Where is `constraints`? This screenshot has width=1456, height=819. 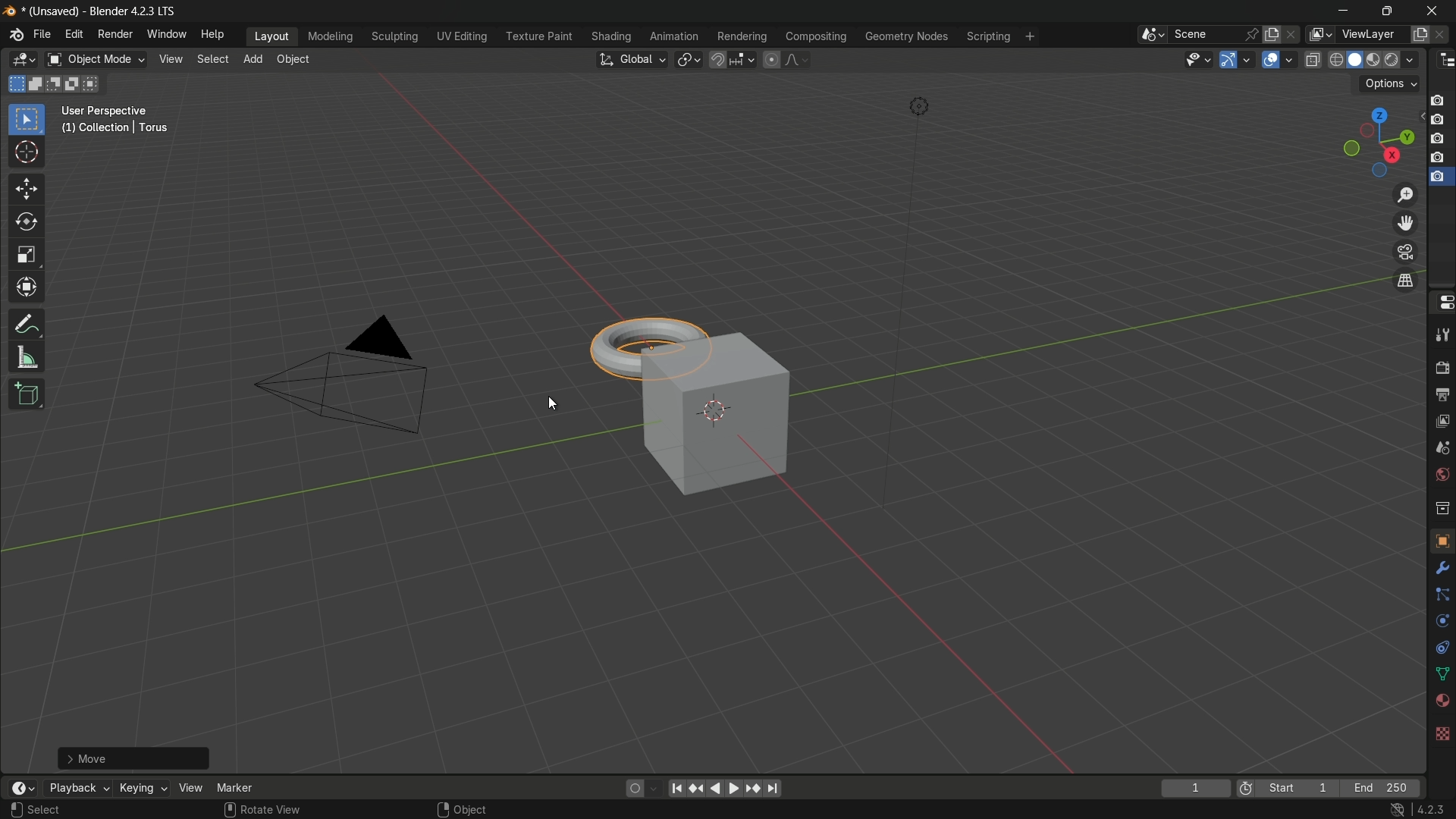
constraints is located at coordinates (1441, 648).